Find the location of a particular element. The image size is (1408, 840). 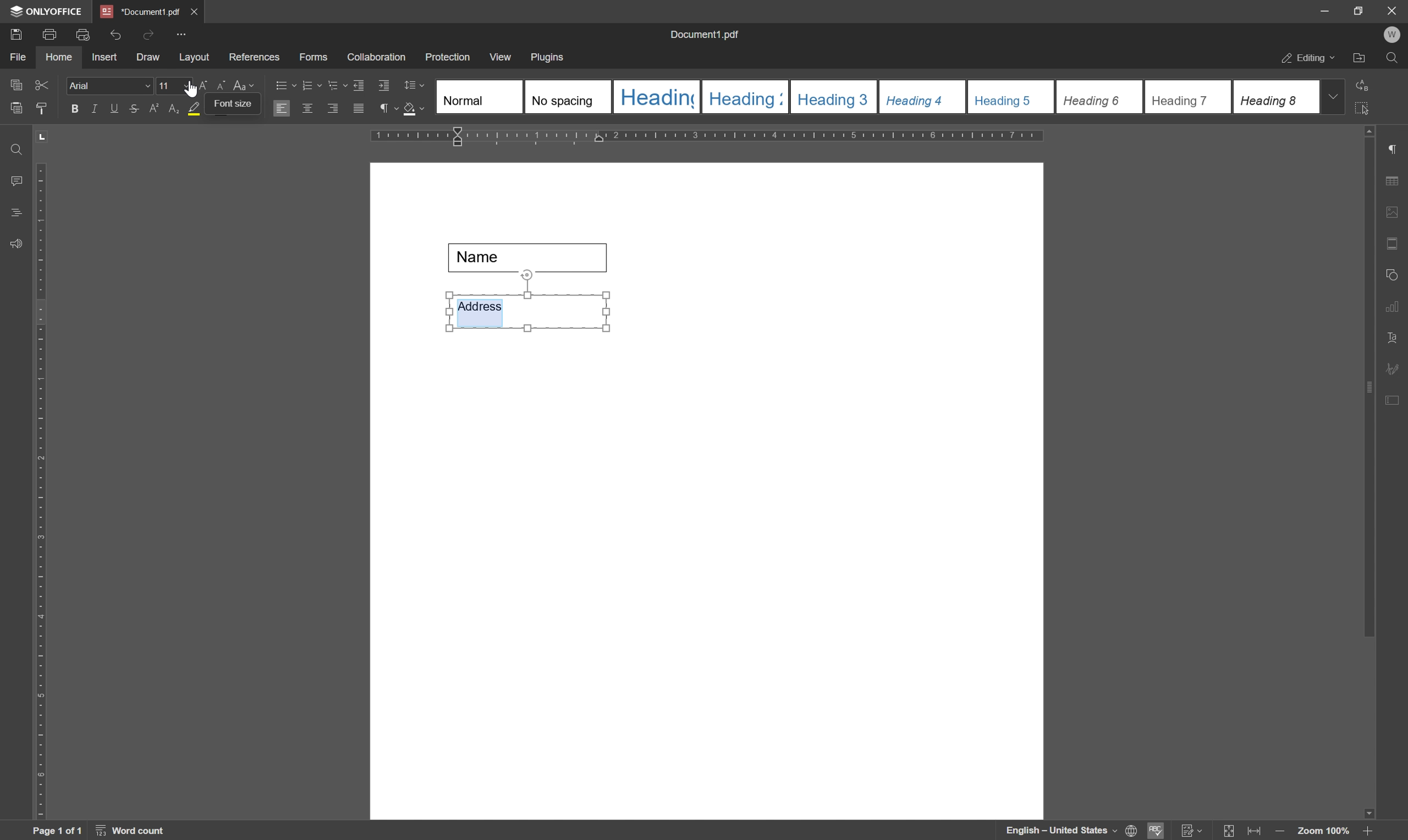

italic is located at coordinates (92, 108).